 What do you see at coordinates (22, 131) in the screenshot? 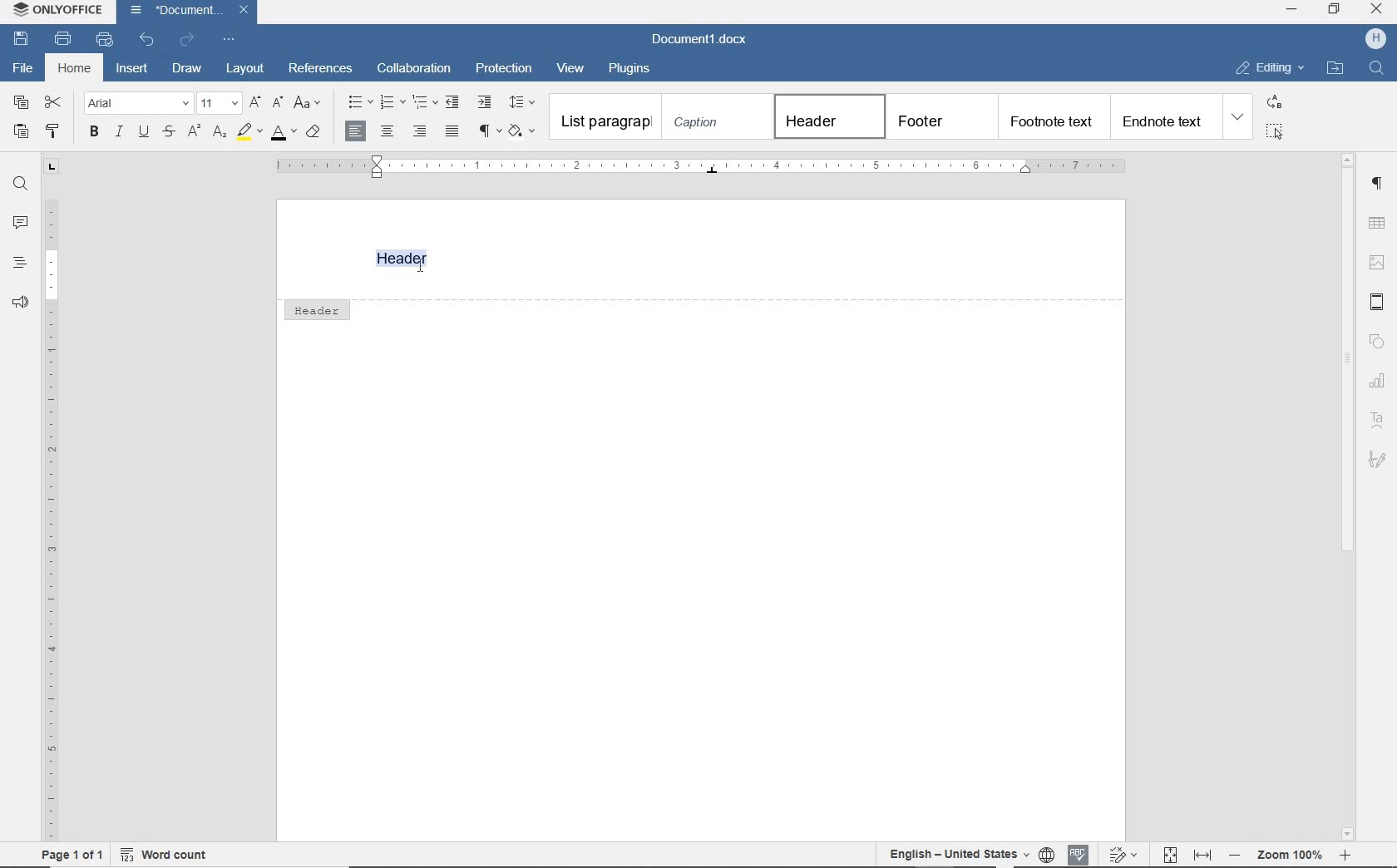
I see `paste` at bounding box center [22, 131].